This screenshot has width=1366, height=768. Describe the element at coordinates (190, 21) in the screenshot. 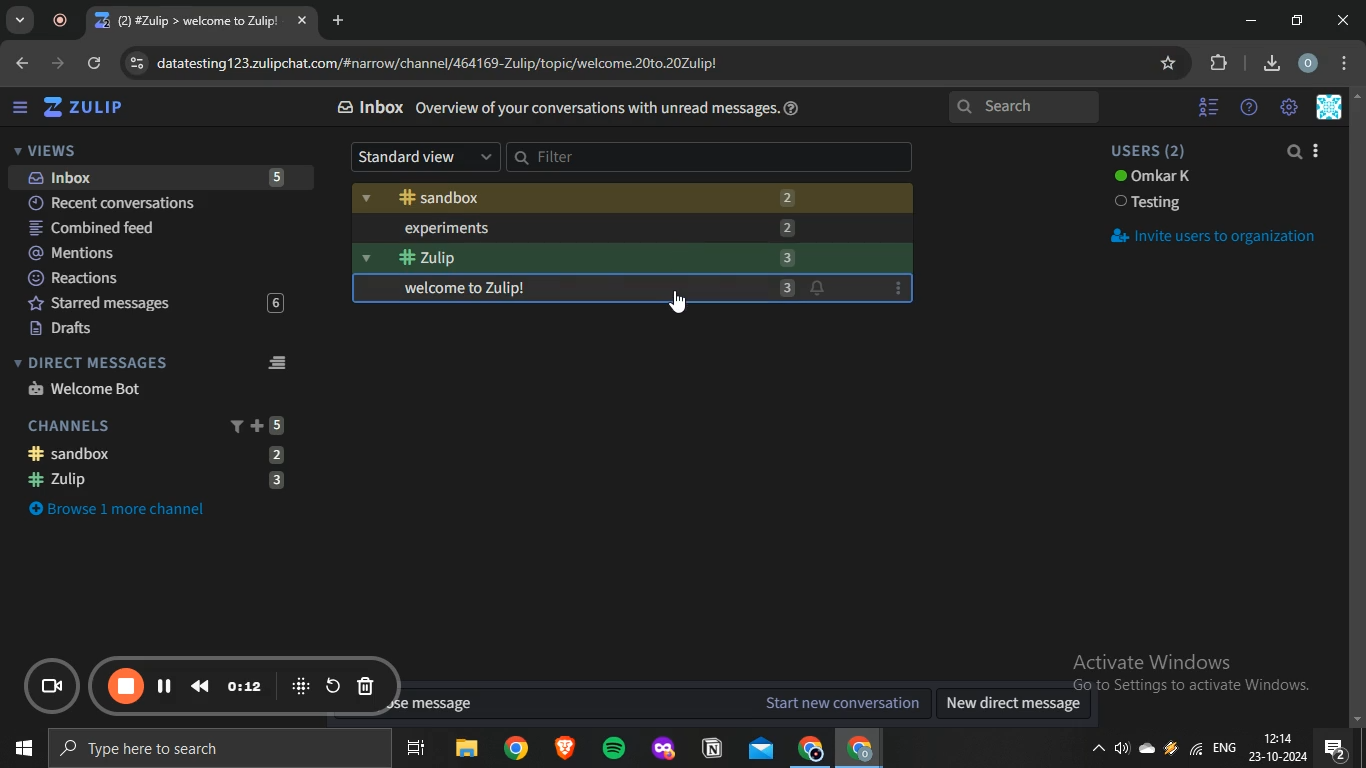

I see `tab` at that location.